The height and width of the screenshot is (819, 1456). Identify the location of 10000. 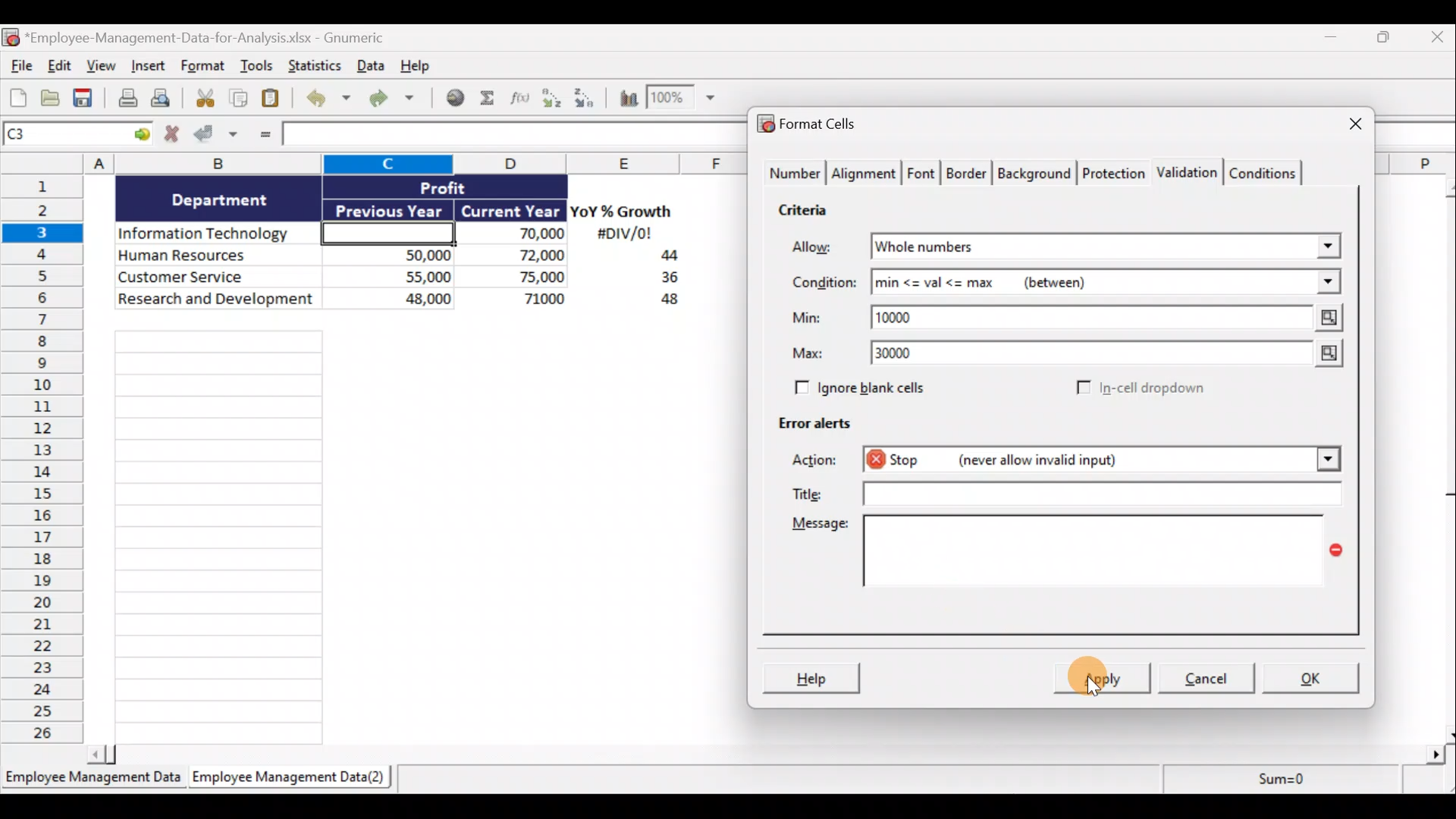
(905, 316).